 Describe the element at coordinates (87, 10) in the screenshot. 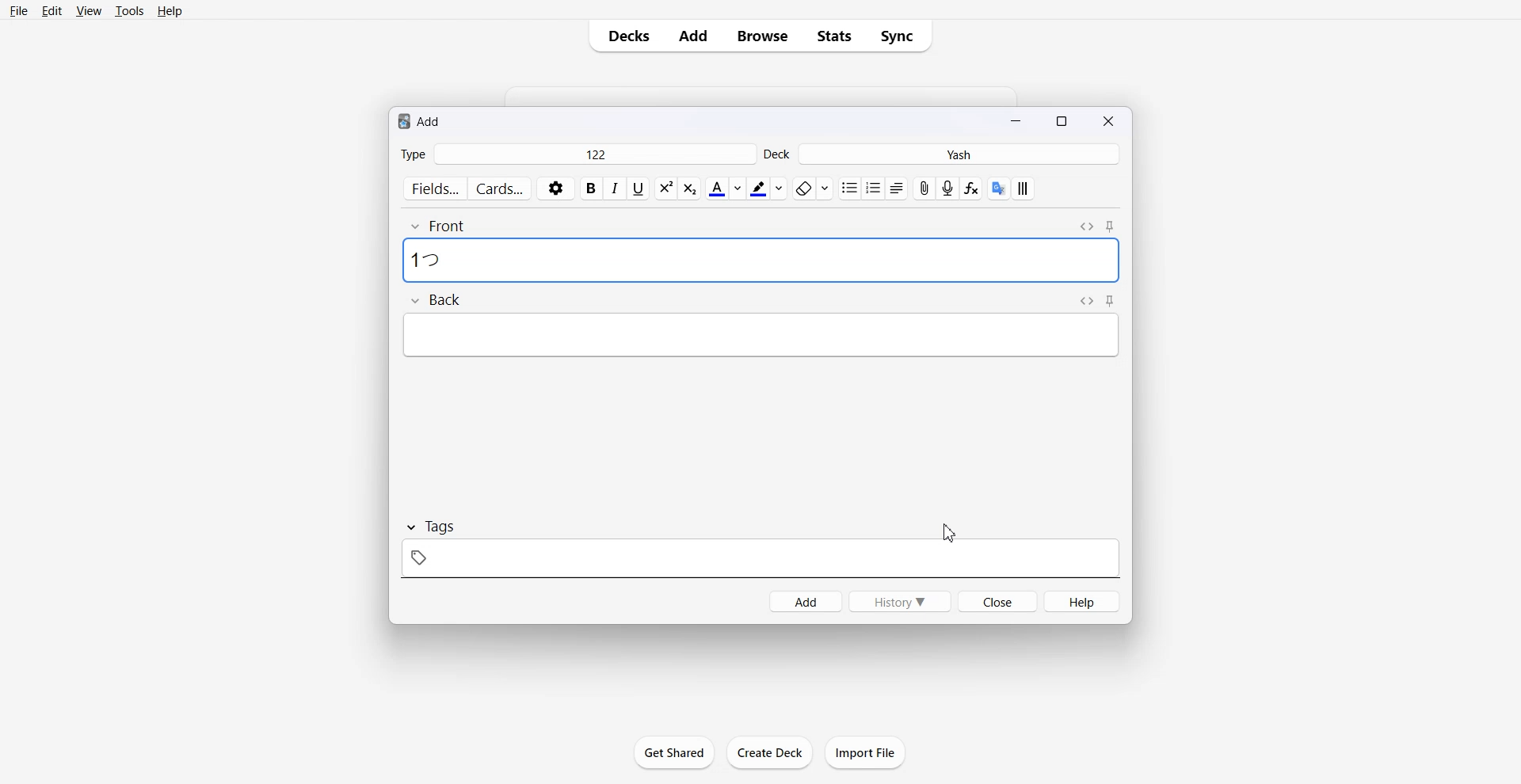

I see `View` at that location.